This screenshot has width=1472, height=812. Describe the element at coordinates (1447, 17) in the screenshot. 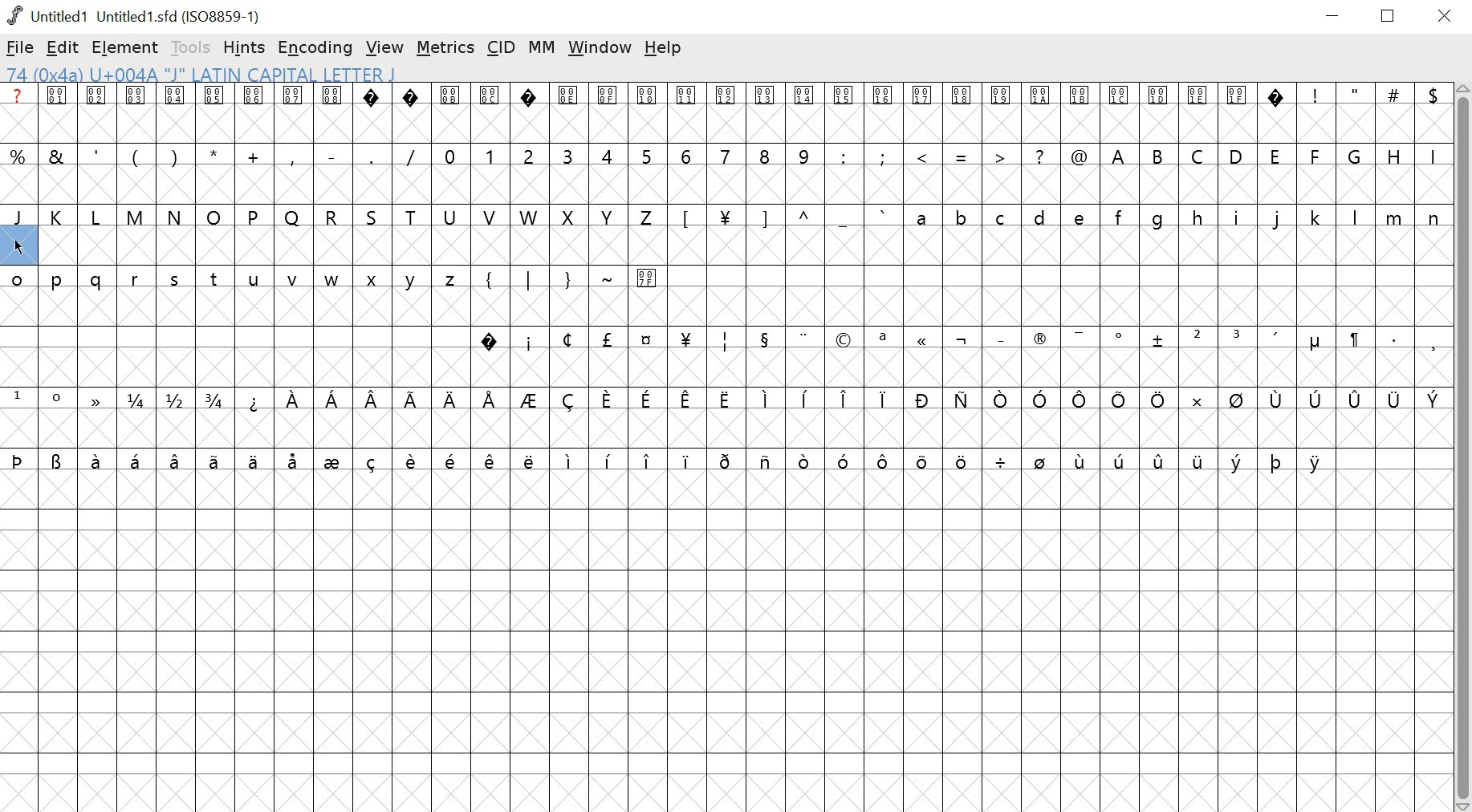

I see `close` at that location.